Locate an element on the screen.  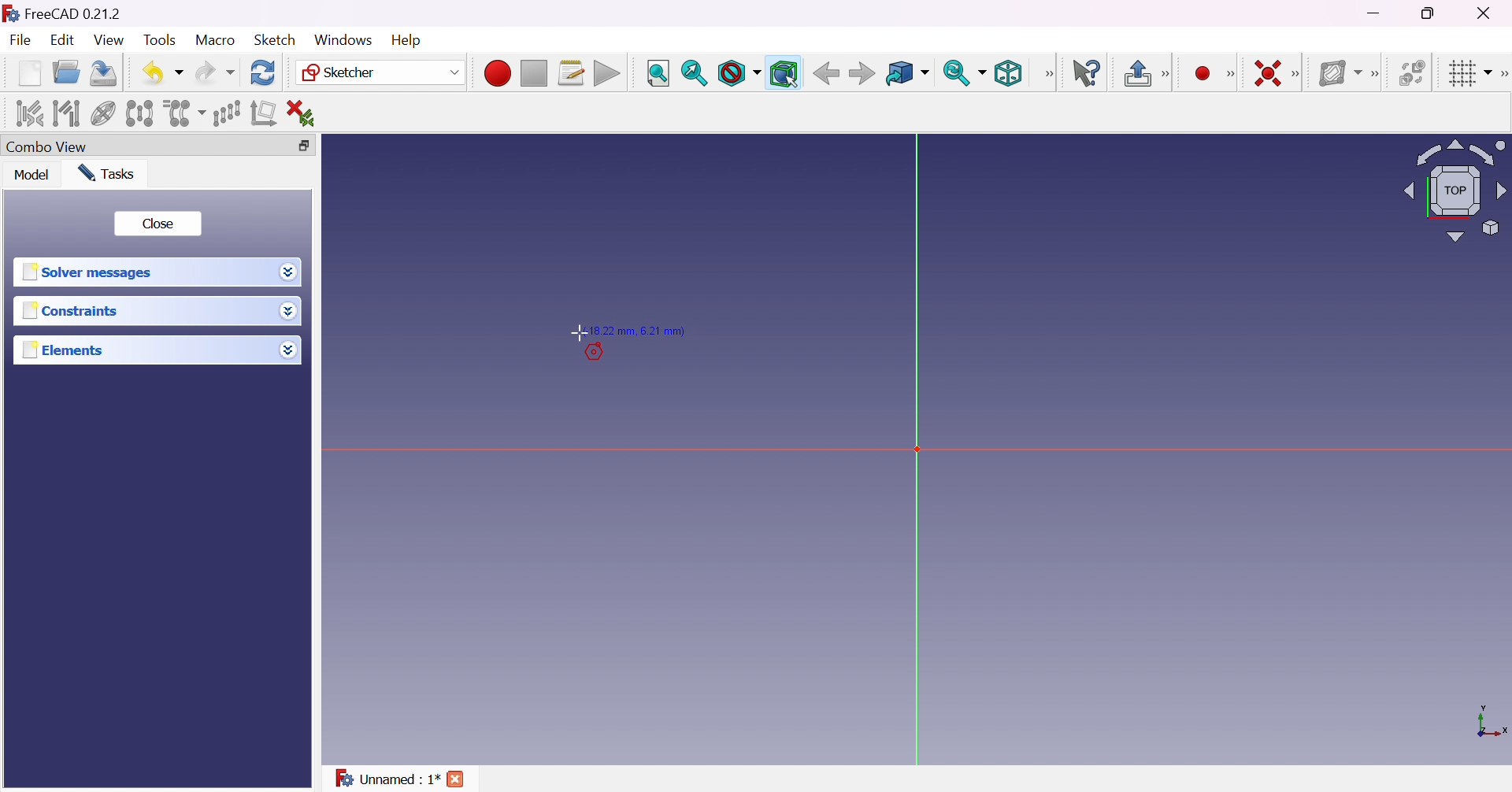
Sketcher constraints is located at coordinates (1299, 75).